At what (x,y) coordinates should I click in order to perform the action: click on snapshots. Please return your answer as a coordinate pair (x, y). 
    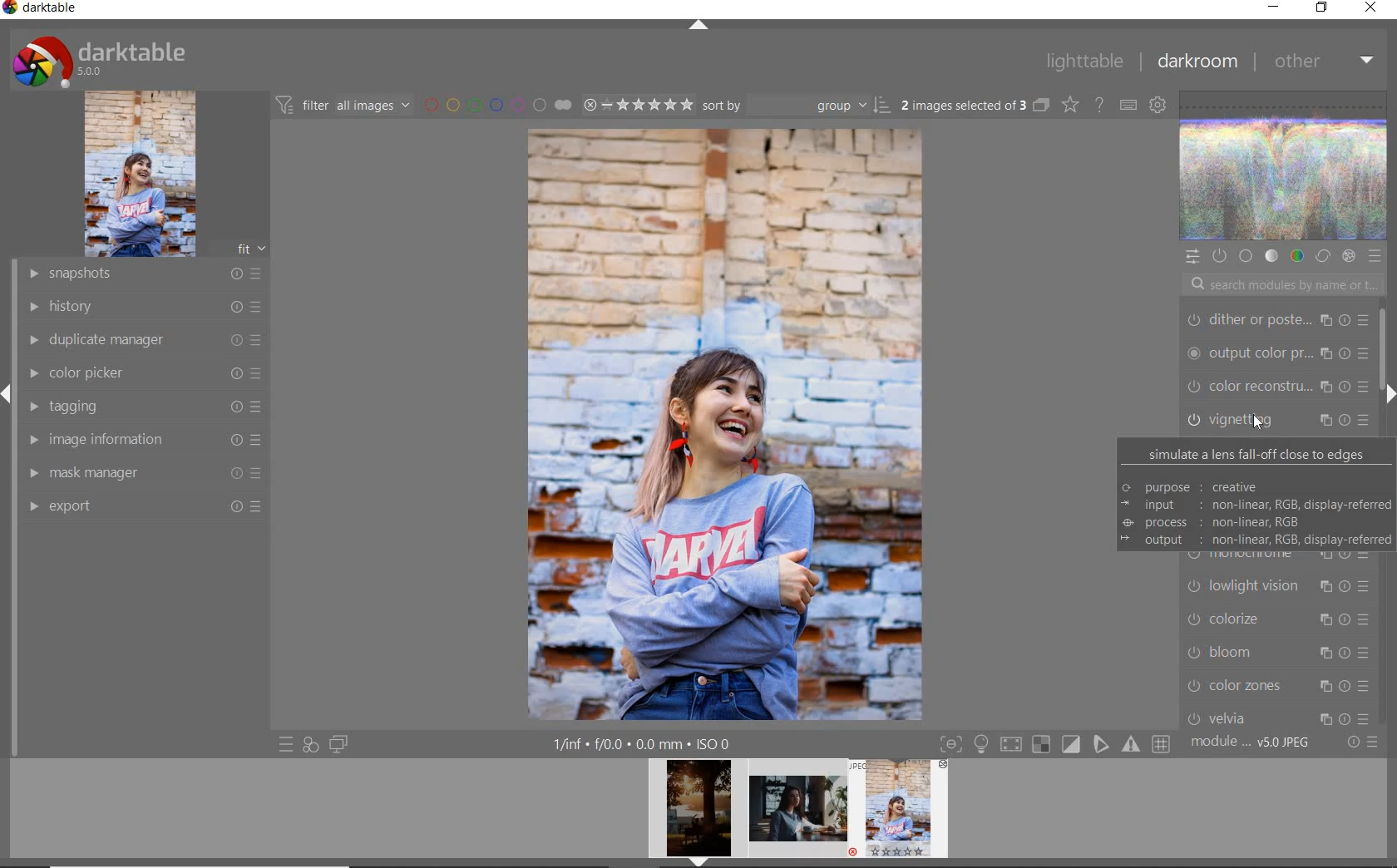
    Looking at the image, I should click on (143, 274).